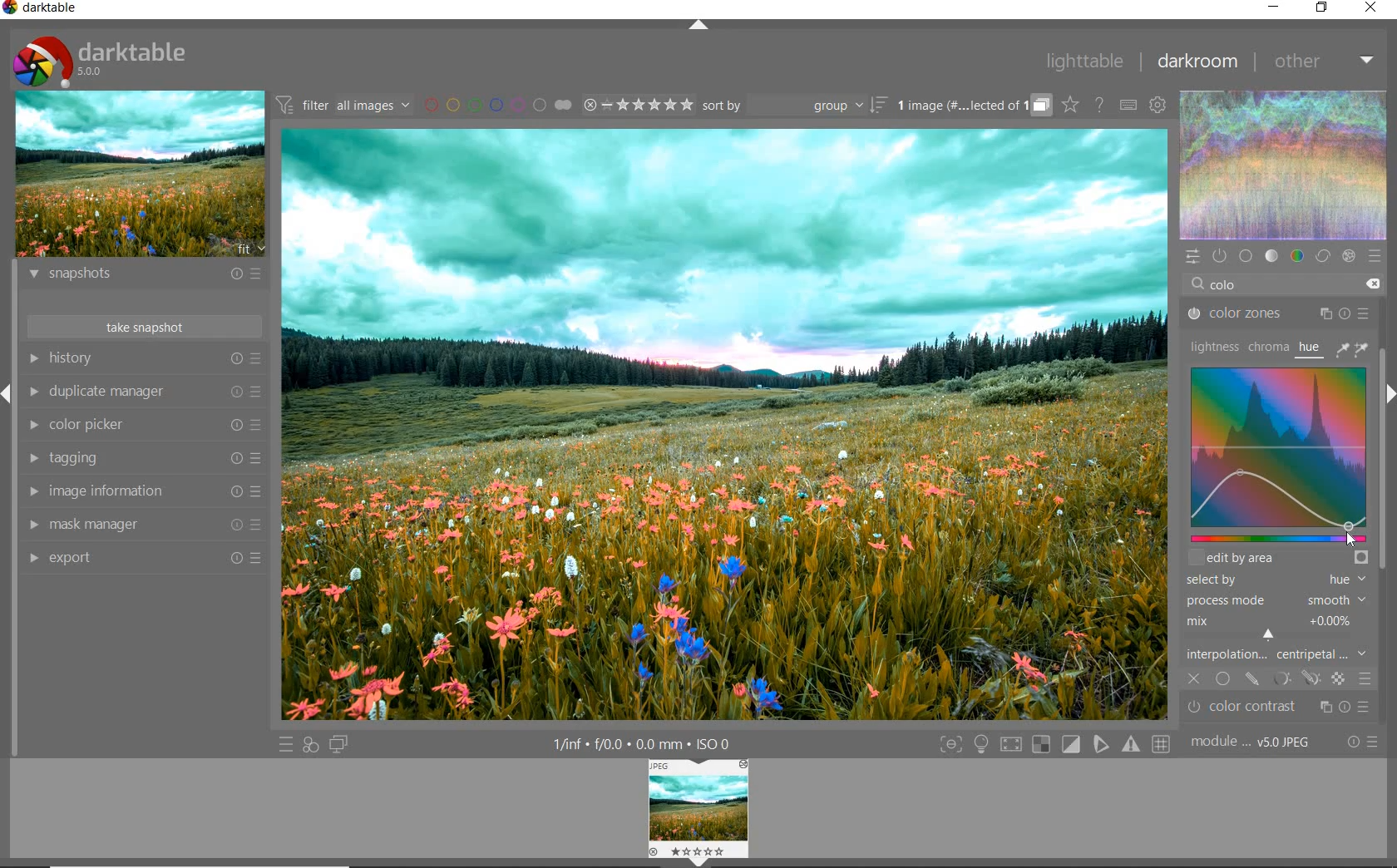 The image size is (1397, 868). Describe the element at coordinates (639, 105) in the screenshot. I see `range ratings for selected images` at that location.